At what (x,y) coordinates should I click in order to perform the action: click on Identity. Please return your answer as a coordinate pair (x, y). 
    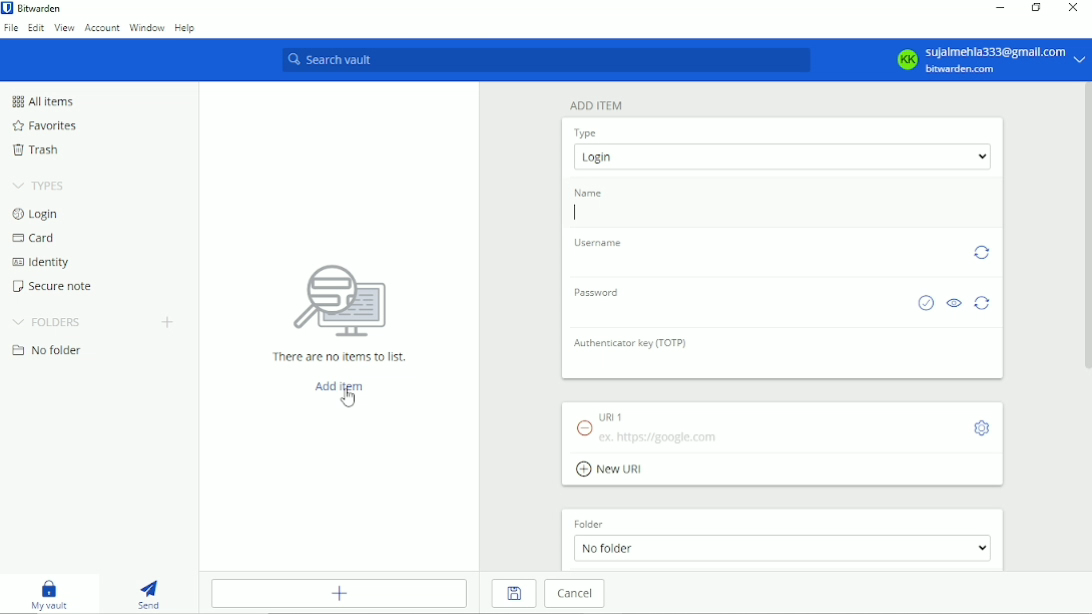
    Looking at the image, I should click on (42, 263).